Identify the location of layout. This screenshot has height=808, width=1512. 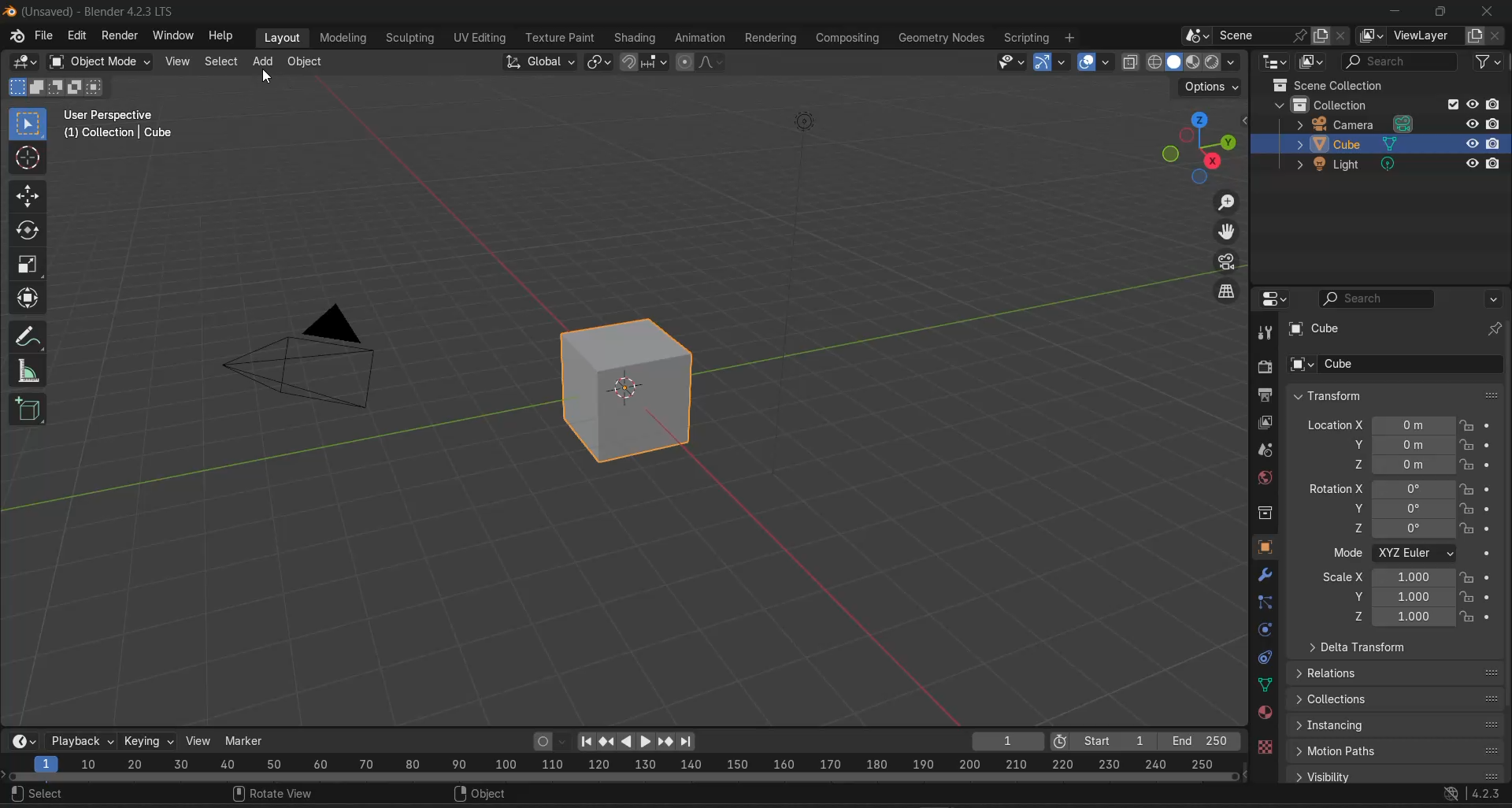
(282, 38).